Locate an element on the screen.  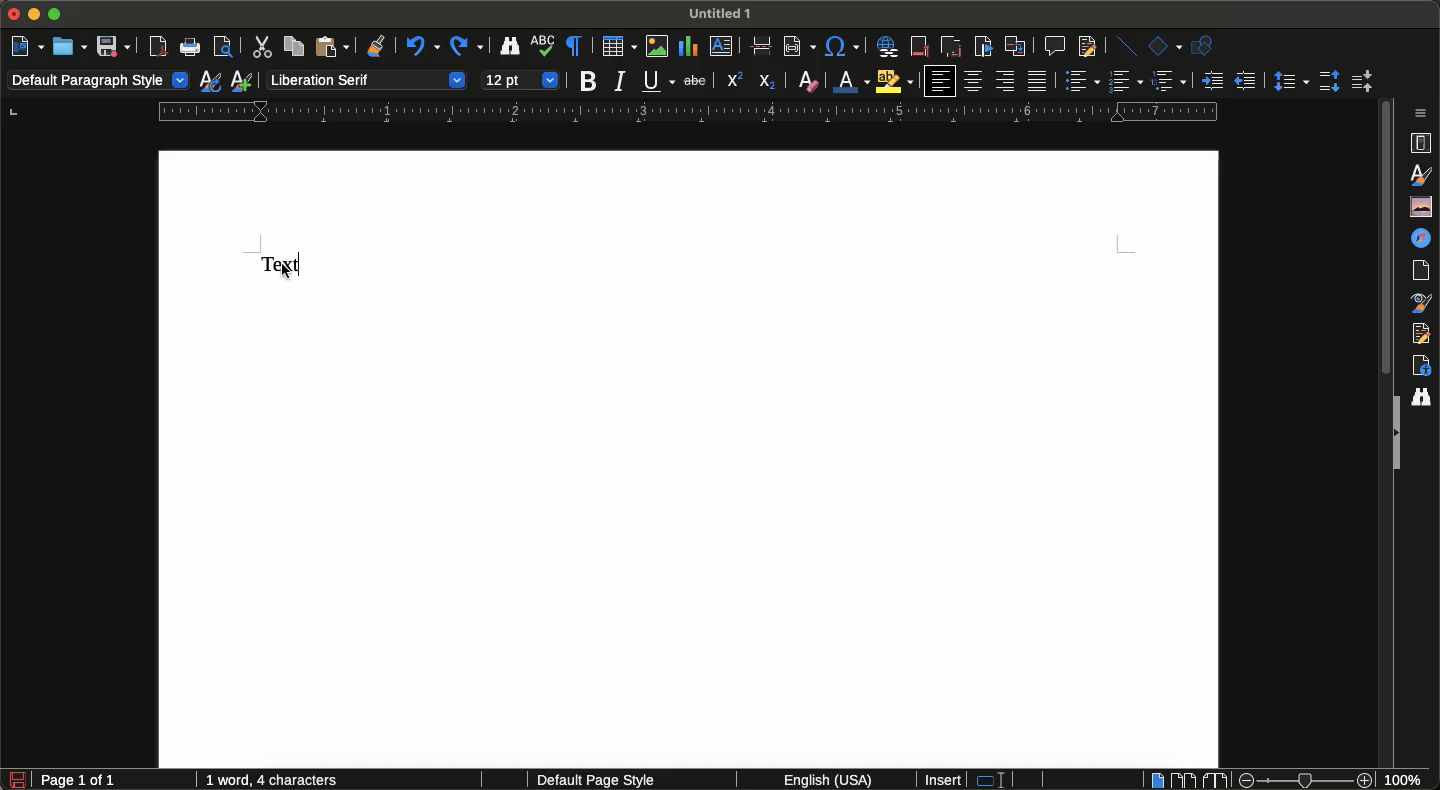
Toggle formatting marks is located at coordinates (576, 46).